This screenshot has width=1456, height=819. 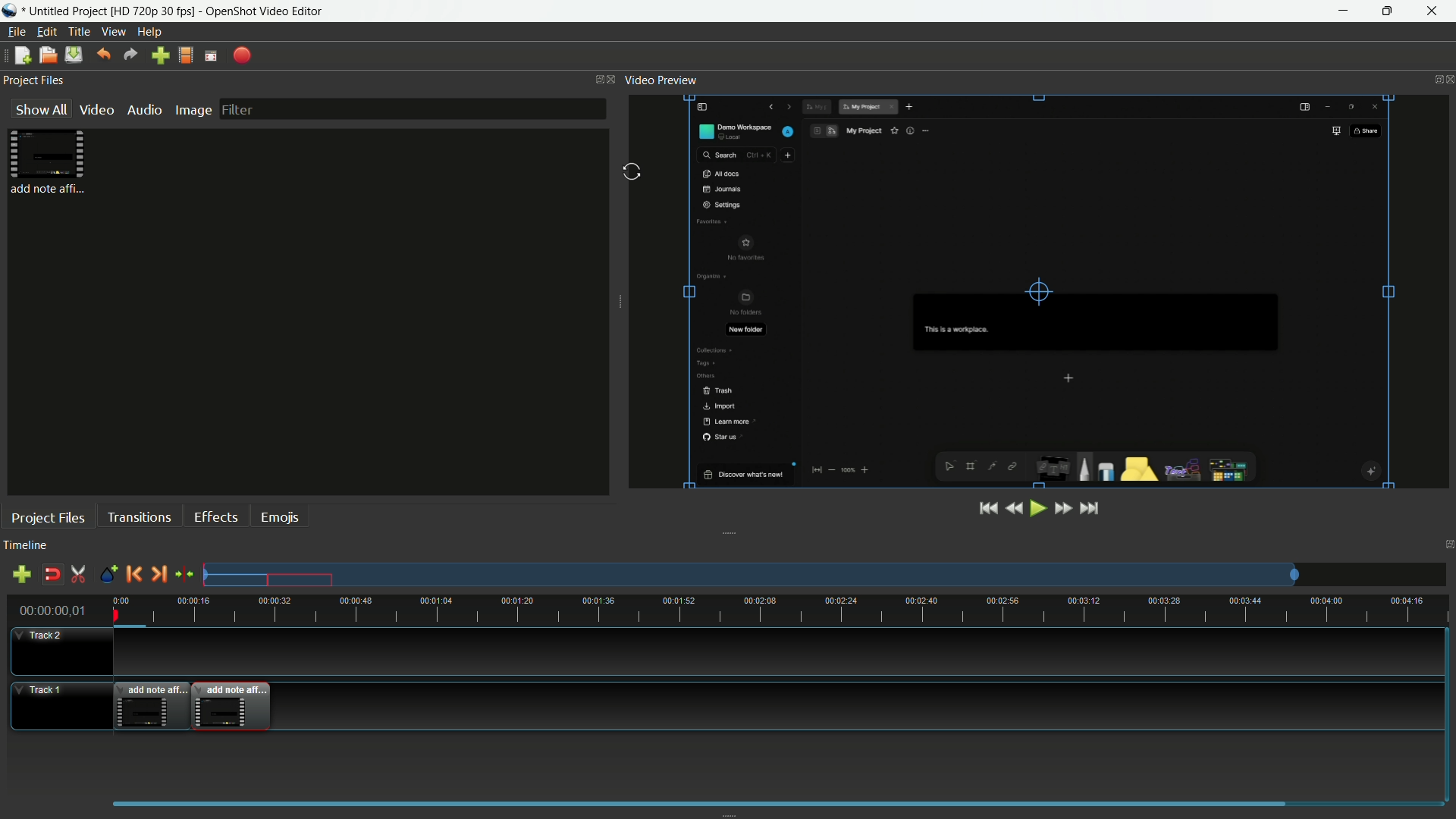 I want to click on save files, so click(x=73, y=55).